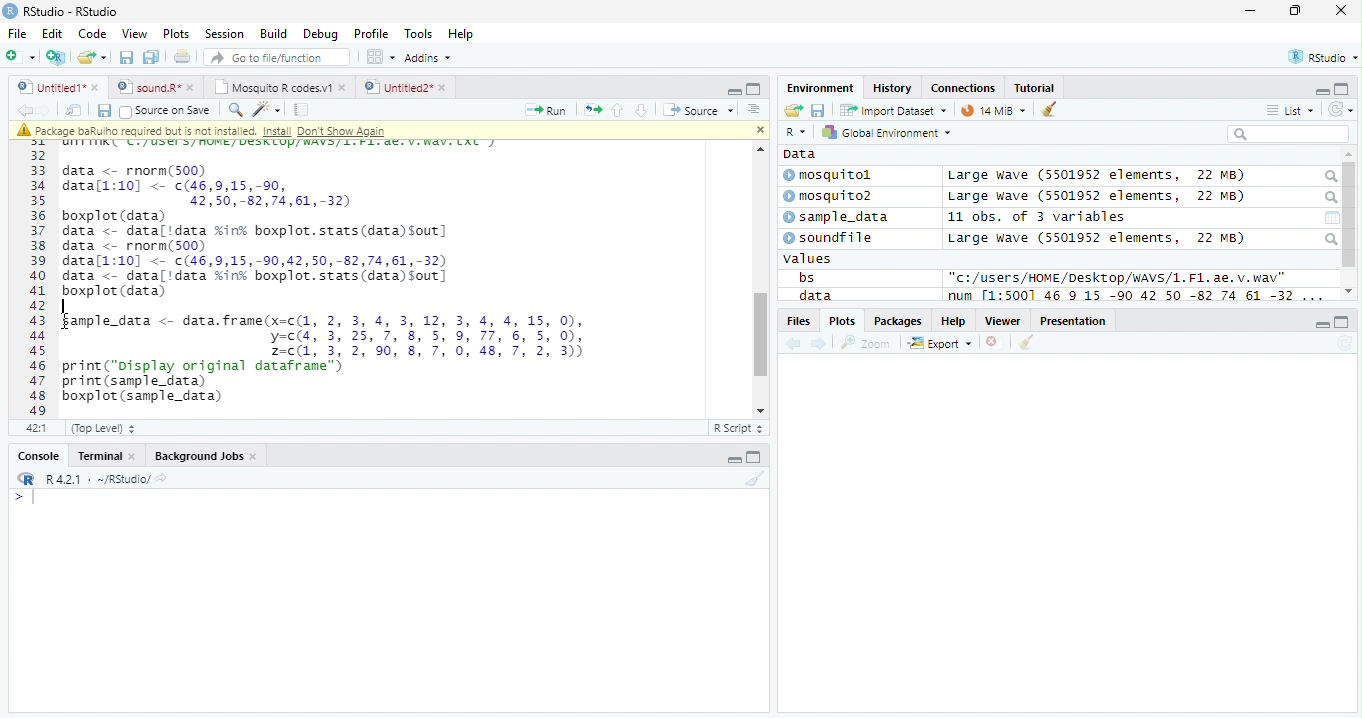 This screenshot has height=718, width=1362. What do you see at coordinates (35, 455) in the screenshot?
I see `Console` at bounding box center [35, 455].